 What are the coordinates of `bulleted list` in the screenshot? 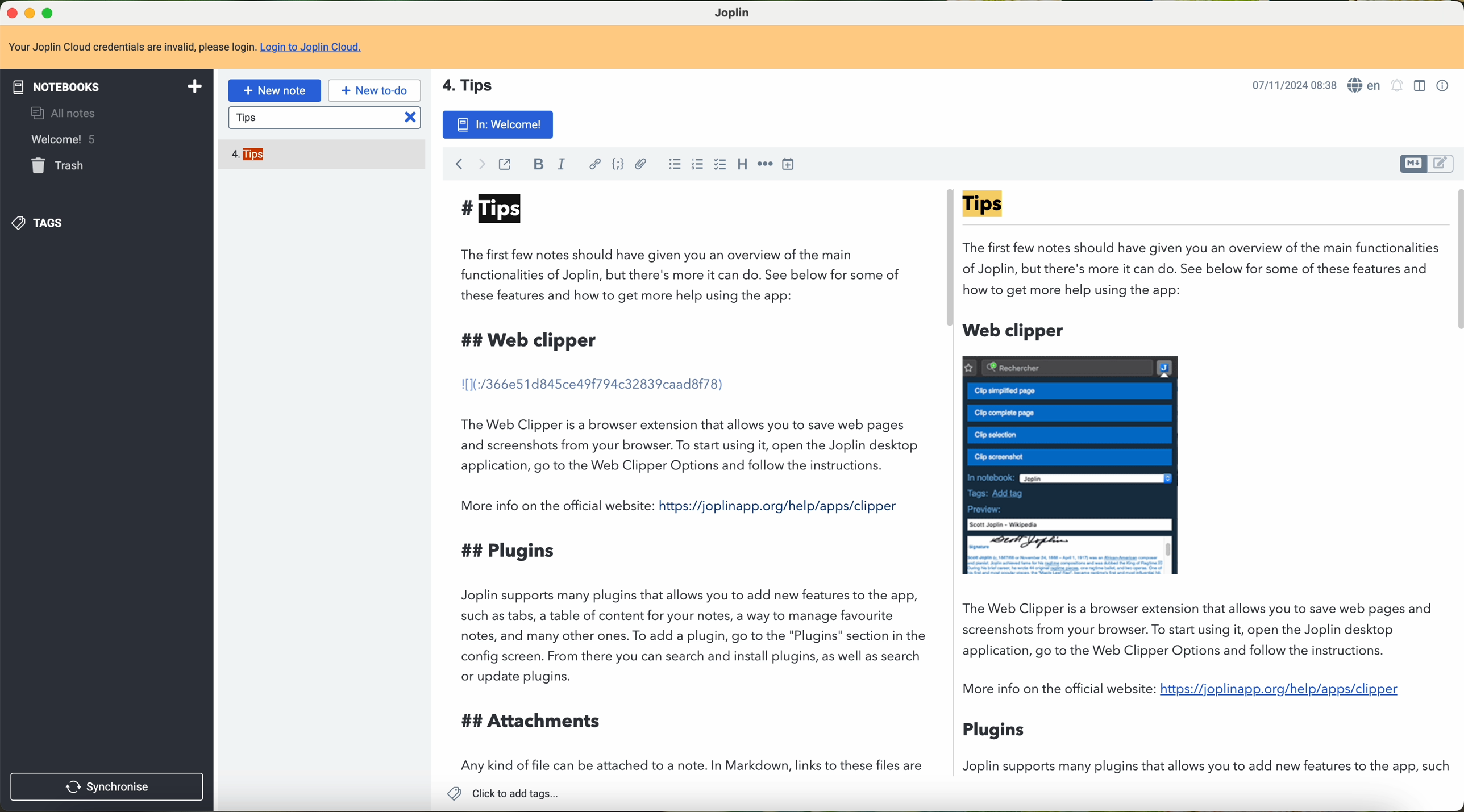 It's located at (698, 165).